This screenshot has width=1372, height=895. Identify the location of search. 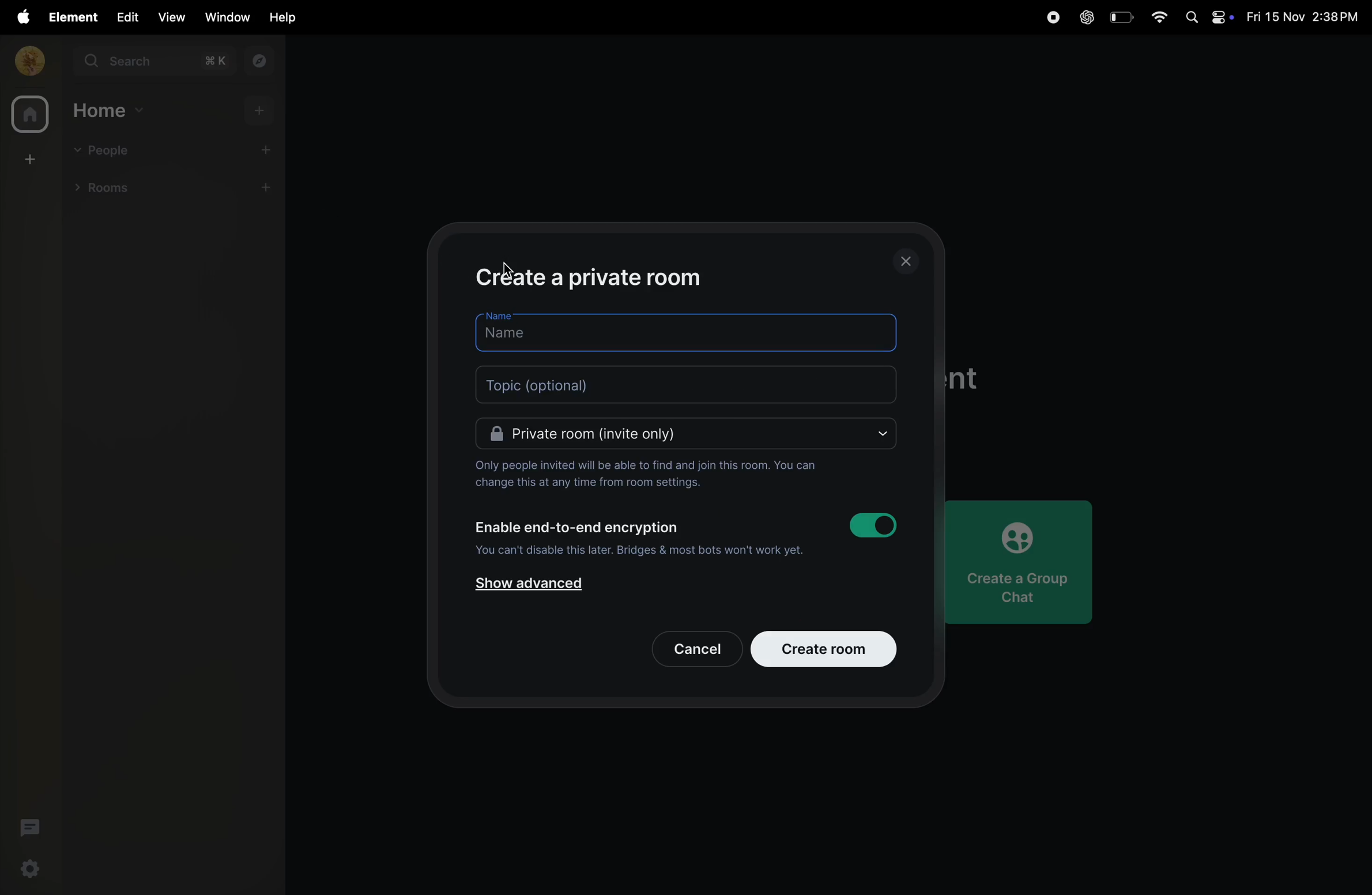
(153, 61).